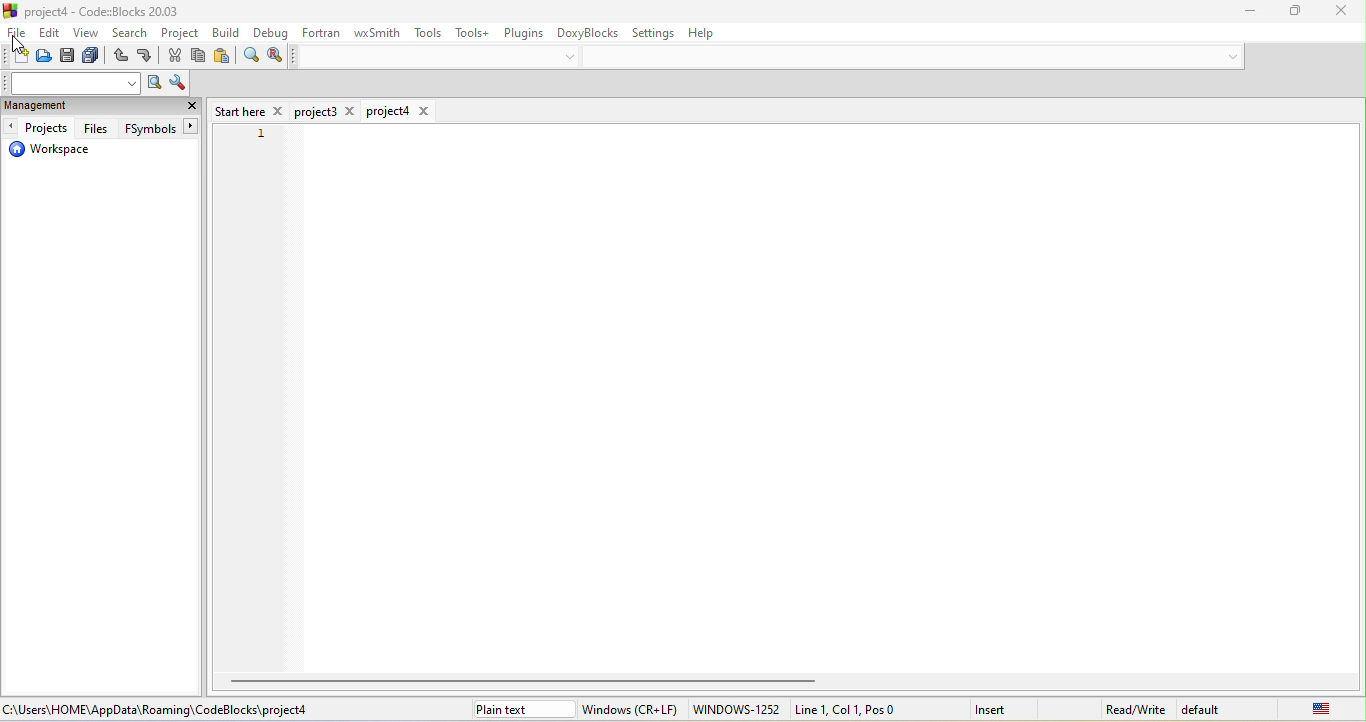 The height and width of the screenshot is (722, 1366). Describe the element at coordinates (181, 34) in the screenshot. I see `project` at that location.